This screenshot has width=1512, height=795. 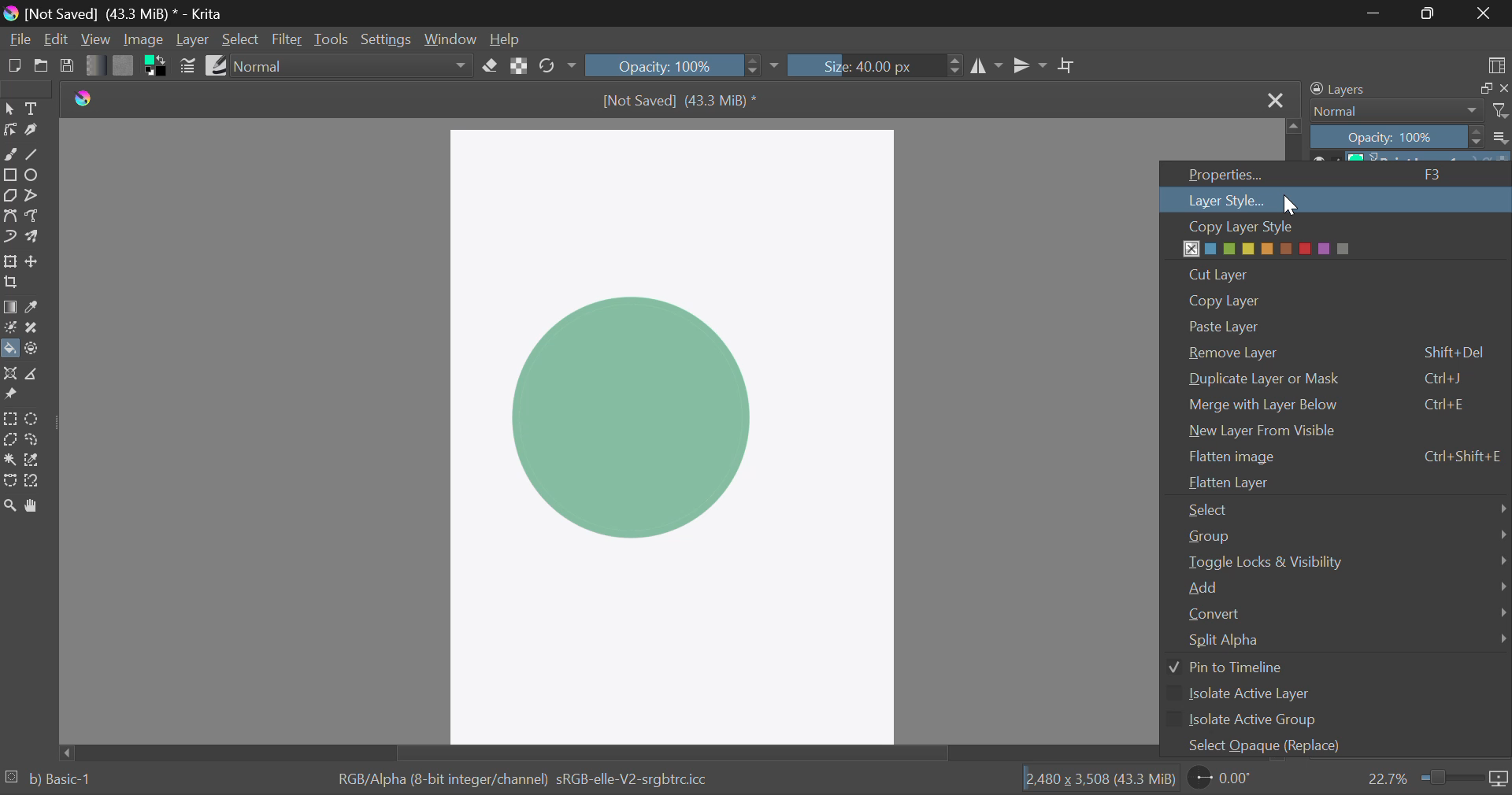 I want to click on Pin to Timeline, so click(x=1243, y=666).